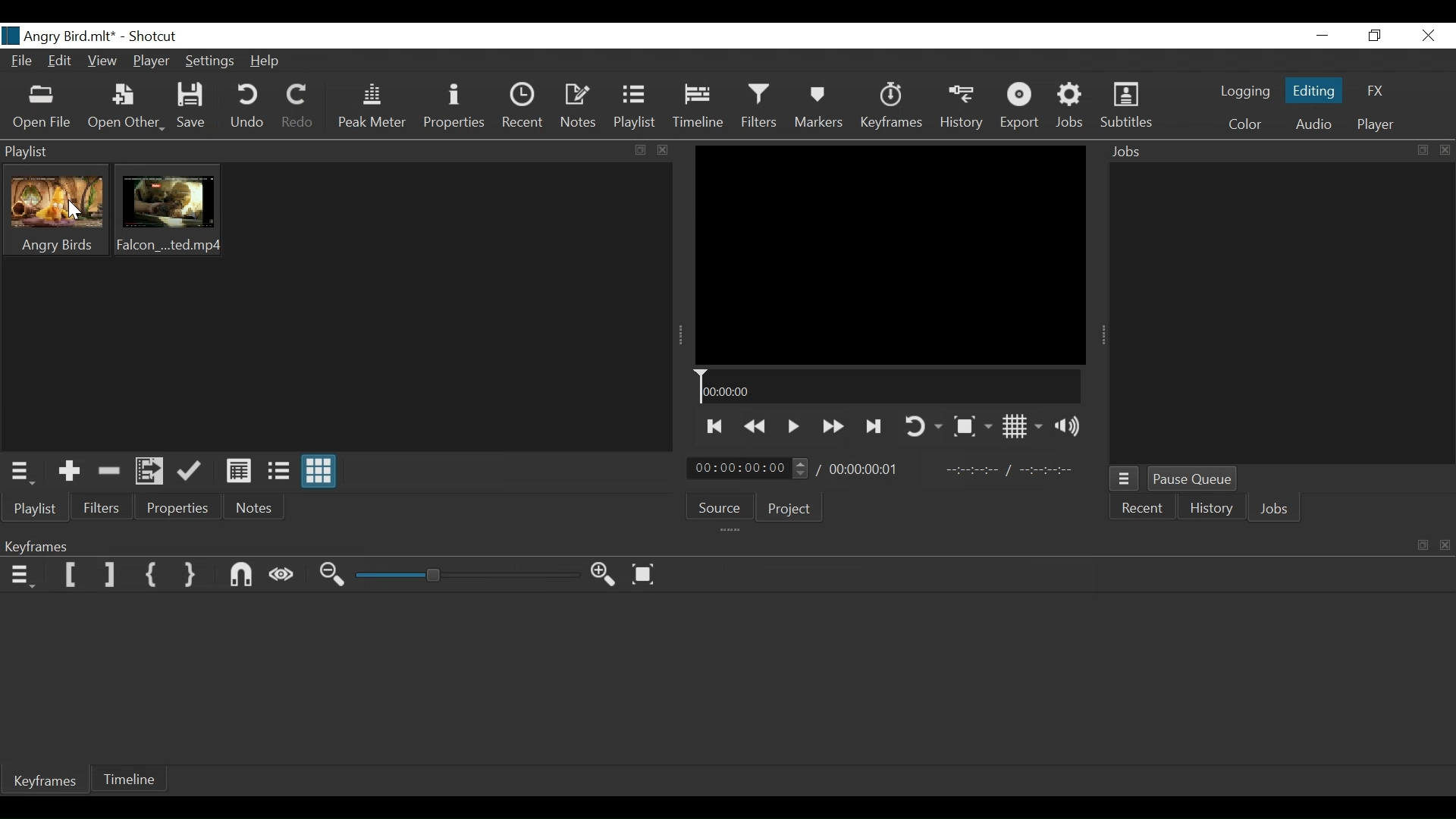 The width and height of the screenshot is (1456, 819). What do you see at coordinates (371, 108) in the screenshot?
I see `Peak Meter` at bounding box center [371, 108].